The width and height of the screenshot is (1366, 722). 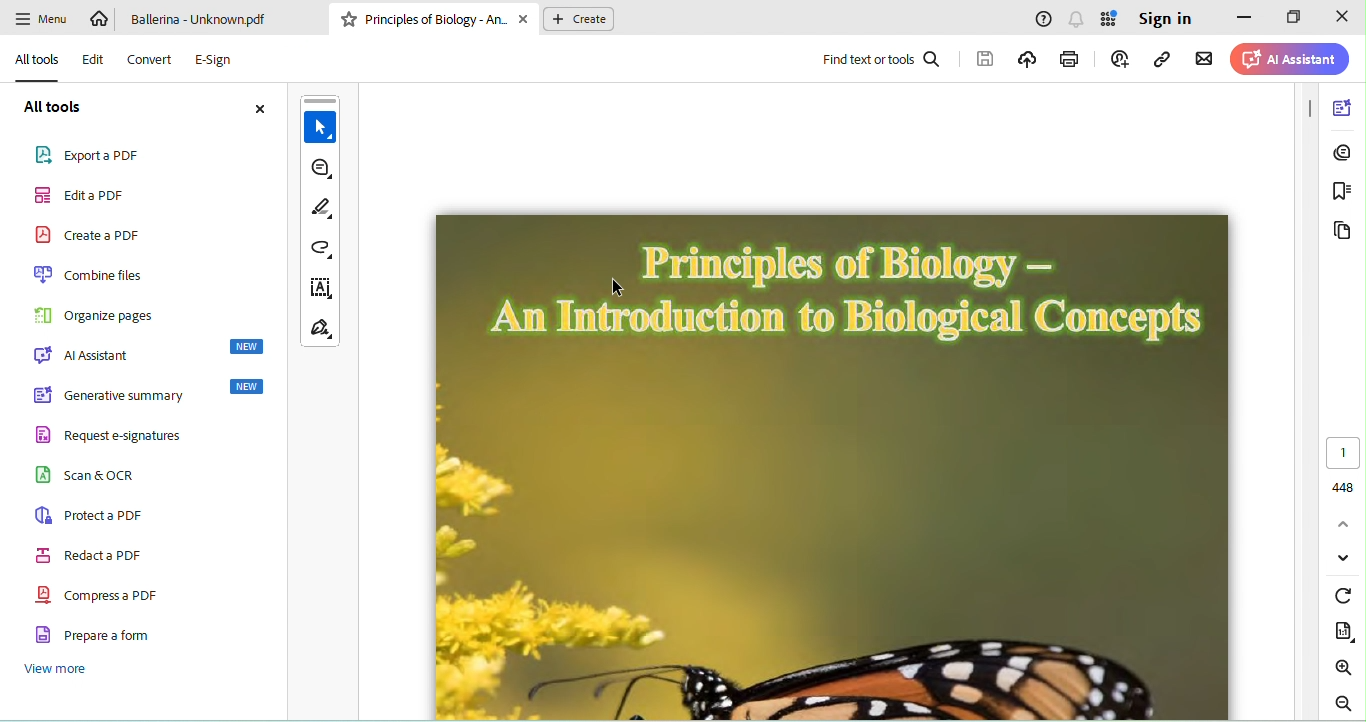 What do you see at coordinates (321, 287) in the screenshot?
I see `fill in form fields` at bounding box center [321, 287].